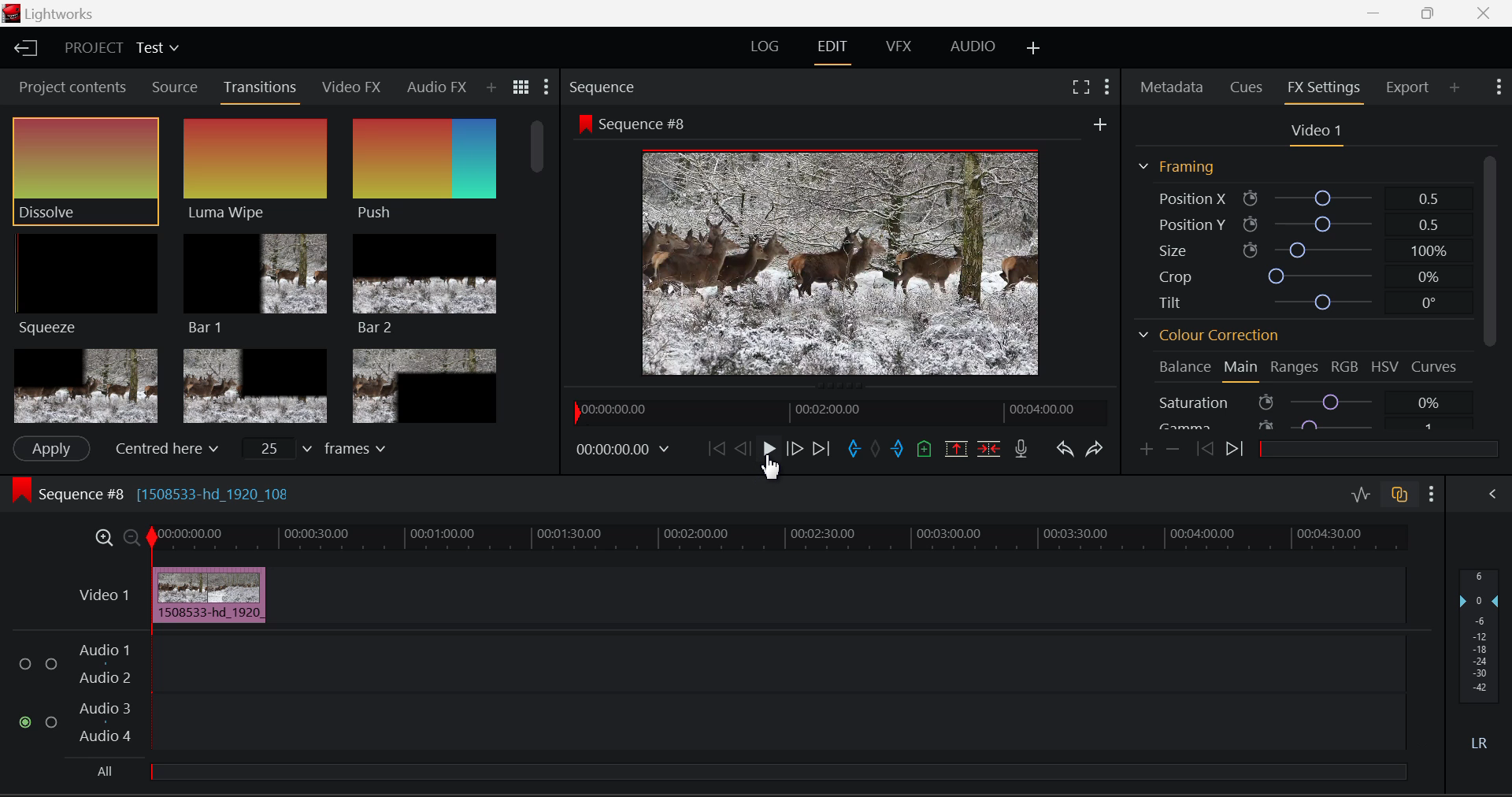 This screenshot has width=1512, height=797. I want to click on LOG Layout, so click(765, 50).